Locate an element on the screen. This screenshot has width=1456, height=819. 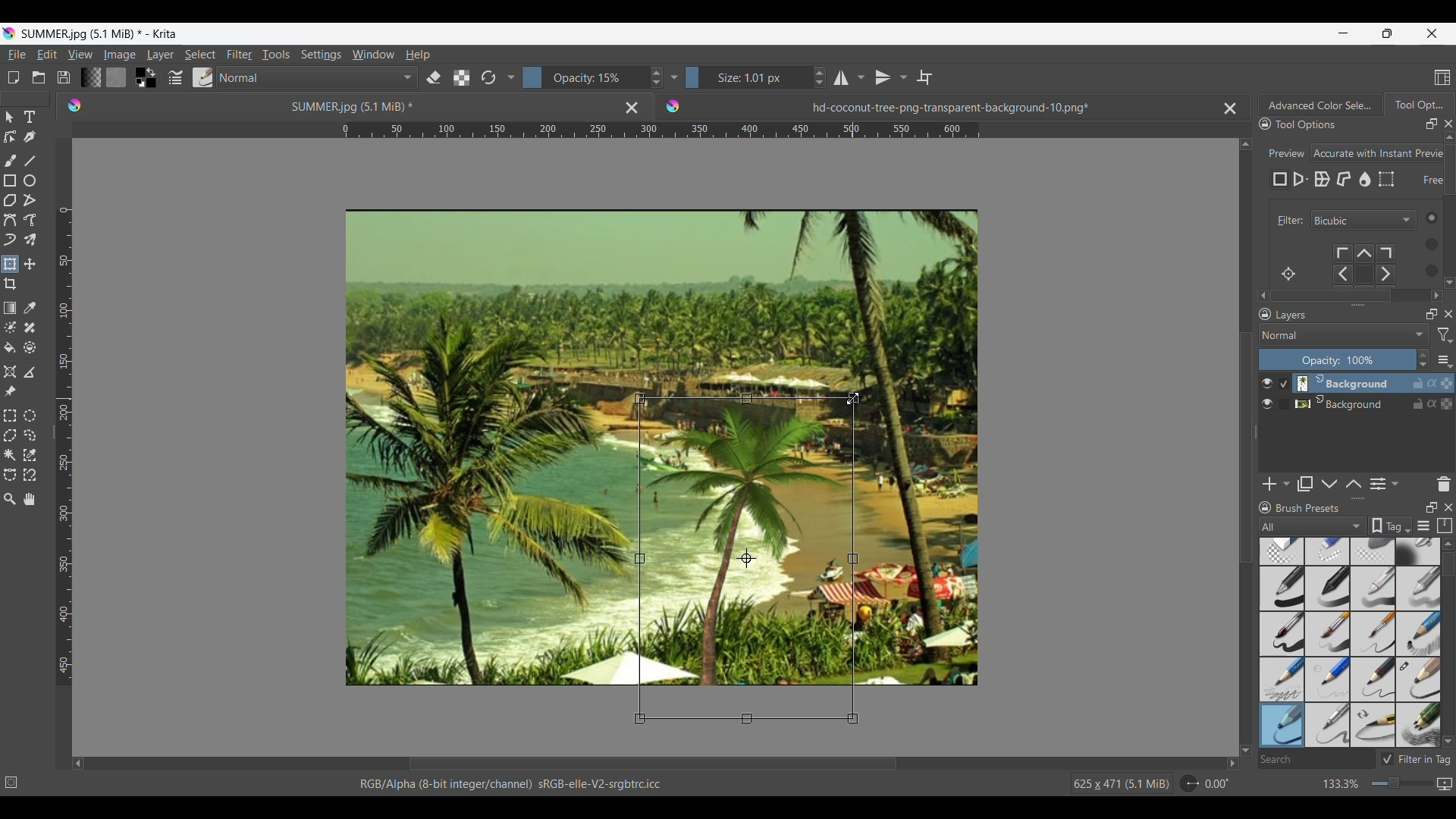
Magnetic curve selection tool is located at coordinates (30, 474).